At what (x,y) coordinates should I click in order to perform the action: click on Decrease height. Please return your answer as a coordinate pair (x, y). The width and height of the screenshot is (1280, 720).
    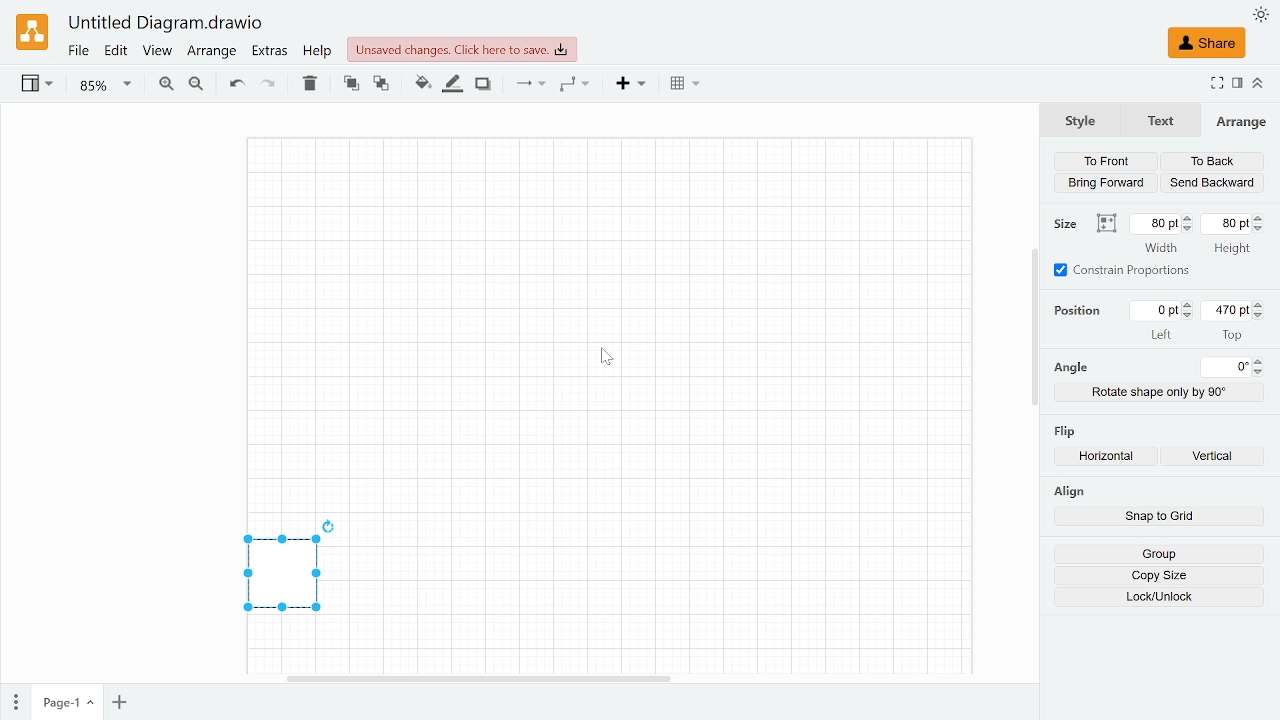
    Looking at the image, I should click on (1262, 229).